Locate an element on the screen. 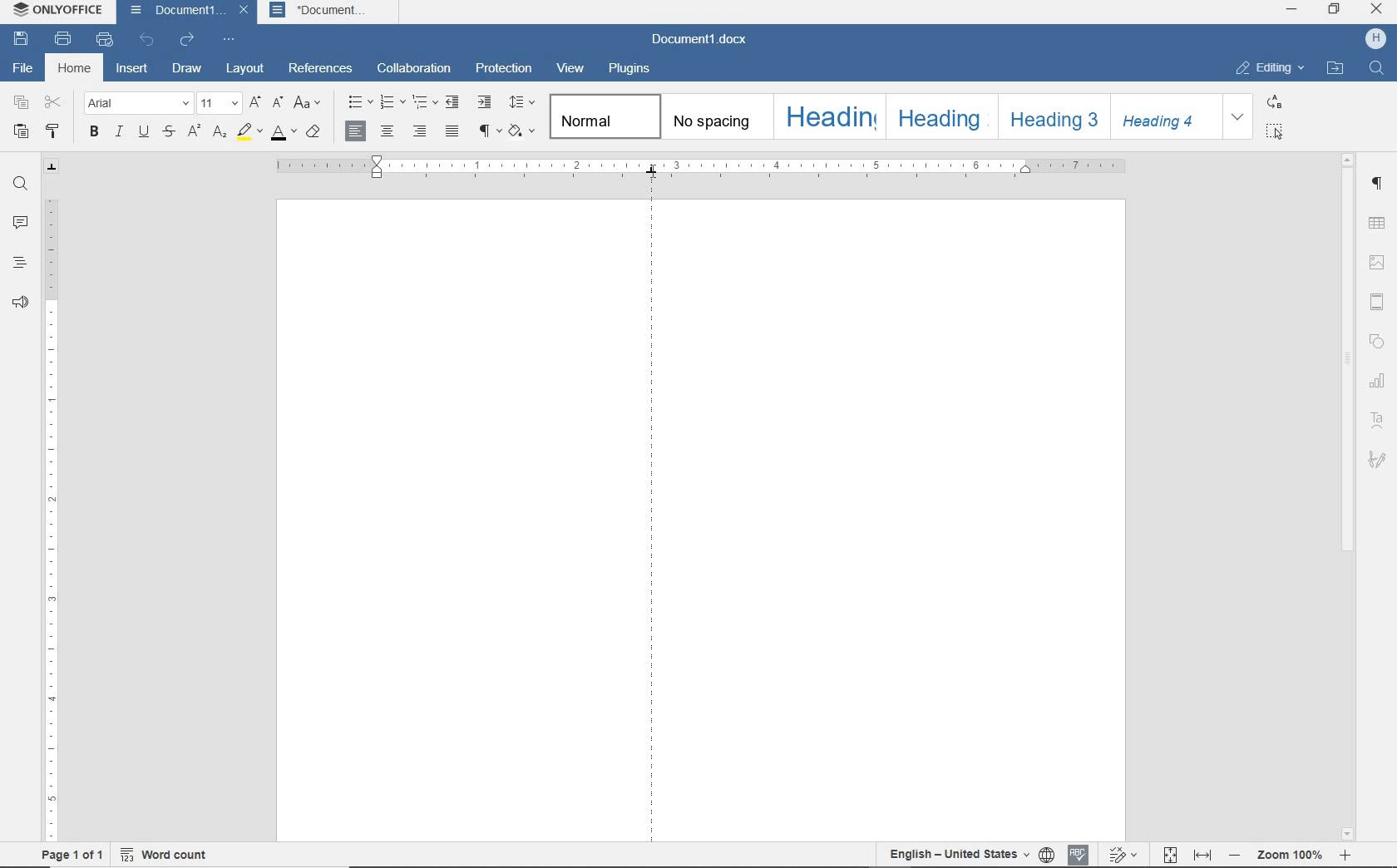 Image resolution: width=1397 pixels, height=868 pixels. SET DOCUMENT LANGUAGE is located at coordinates (957, 855).